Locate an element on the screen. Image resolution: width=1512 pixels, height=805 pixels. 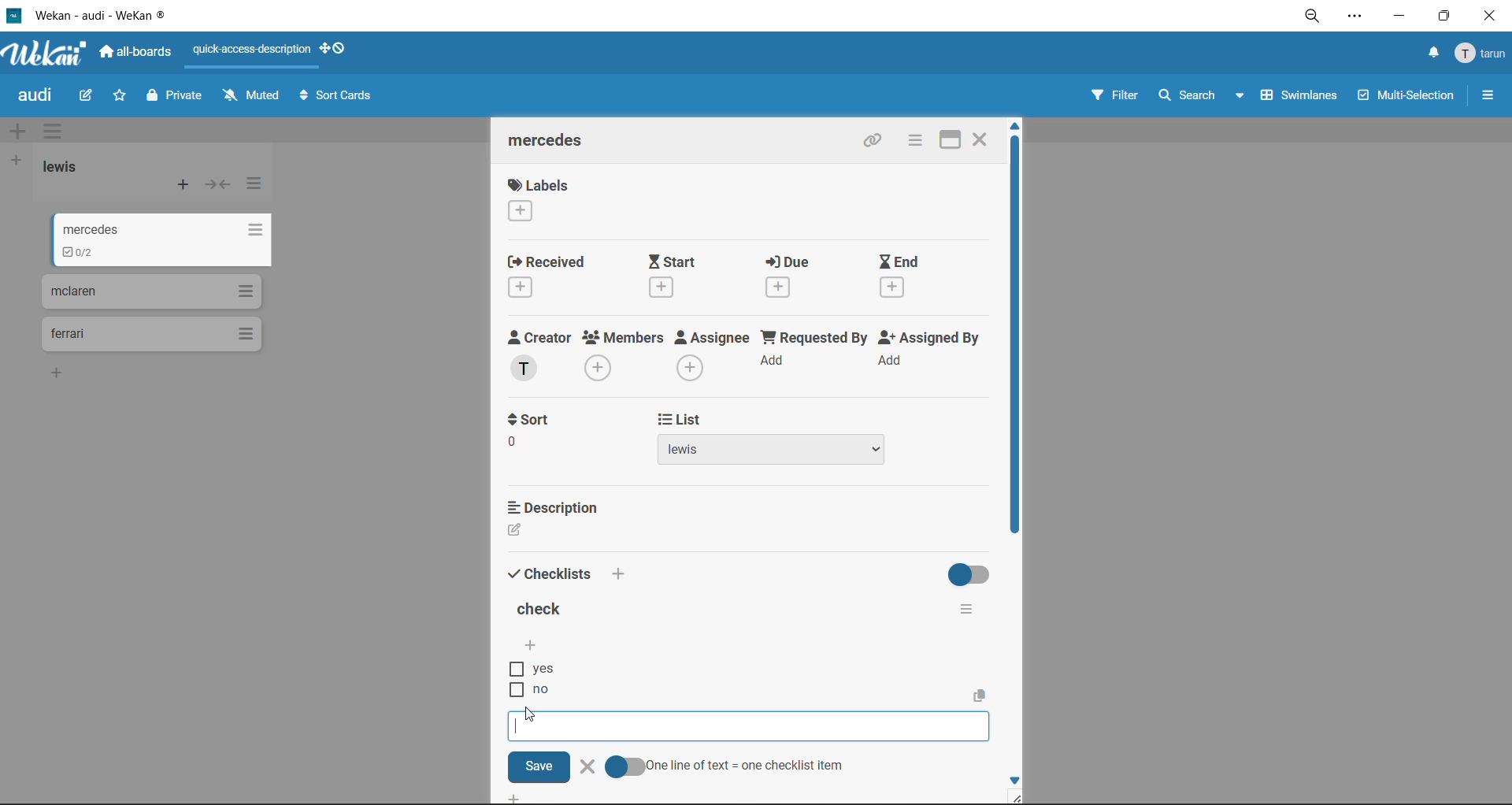
members is located at coordinates (624, 339).